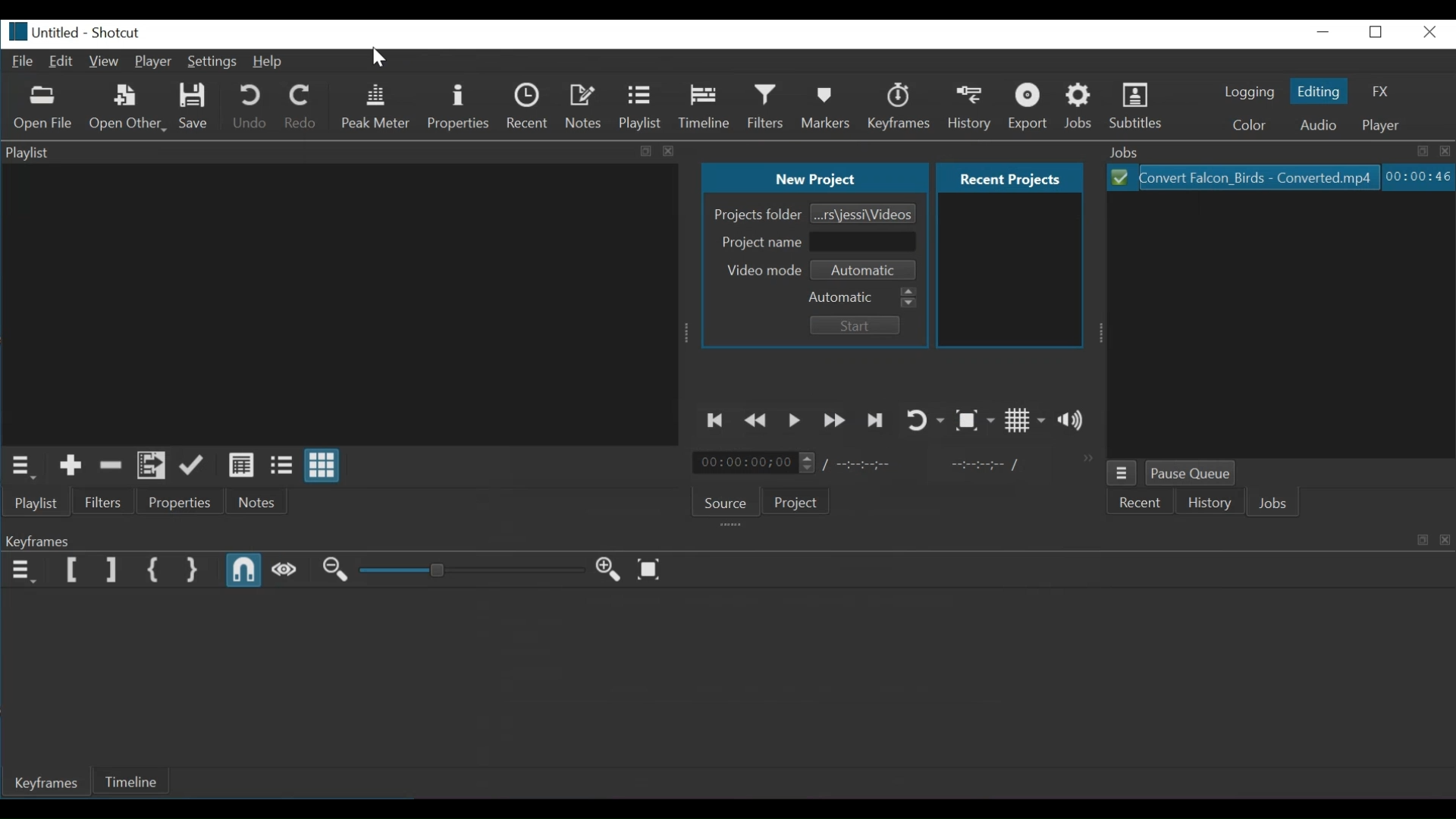  I want to click on Remove cut, so click(111, 465).